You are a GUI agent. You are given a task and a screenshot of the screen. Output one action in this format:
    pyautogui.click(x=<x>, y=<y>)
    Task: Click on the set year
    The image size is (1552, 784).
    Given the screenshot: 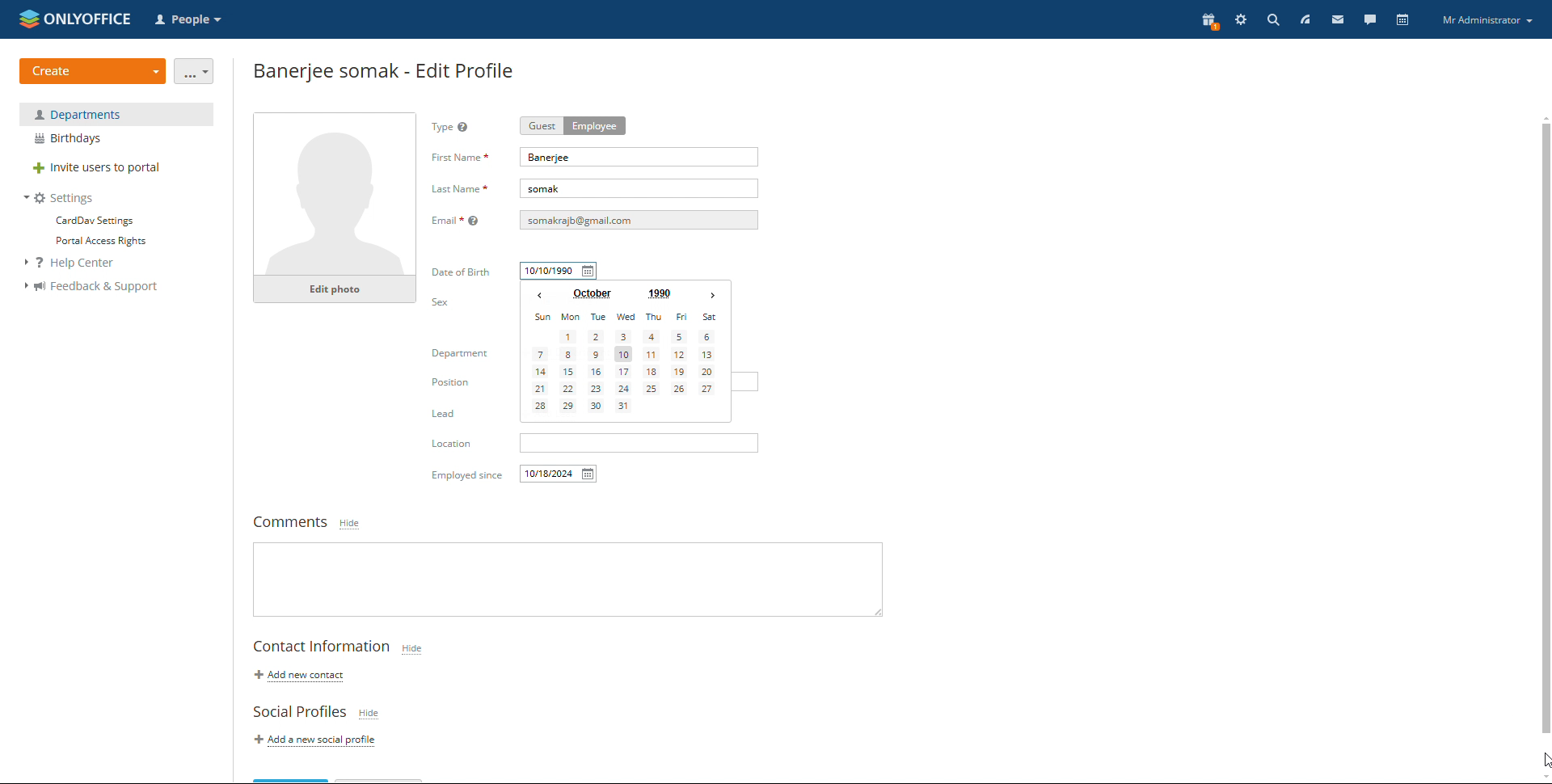 What is the action you would take?
    pyautogui.click(x=660, y=293)
    